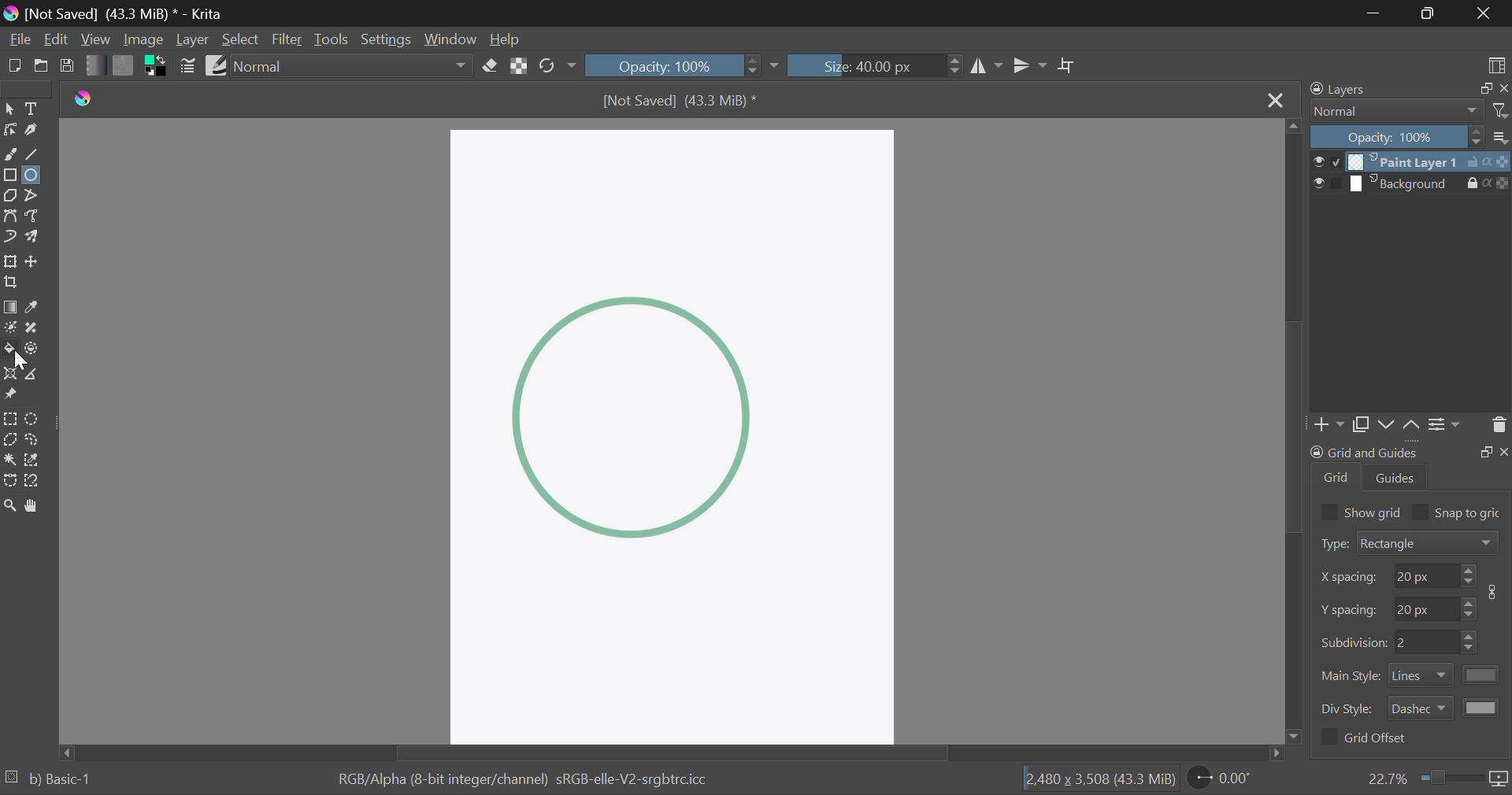 The width and height of the screenshot is (1512, 795). I want to click on Colorize Mask Tool, so click(10, 328).